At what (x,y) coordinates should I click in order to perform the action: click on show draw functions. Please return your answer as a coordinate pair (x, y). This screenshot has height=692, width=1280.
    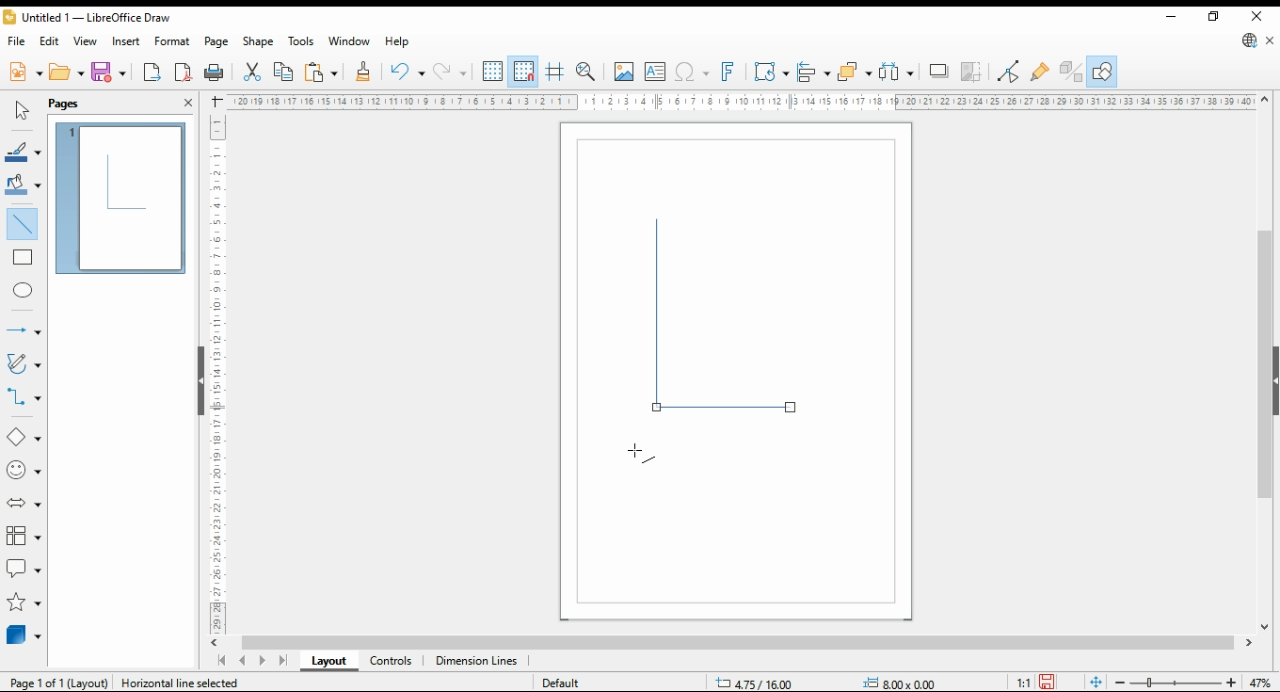
    Looking at the image, I should click on (1102, 72).